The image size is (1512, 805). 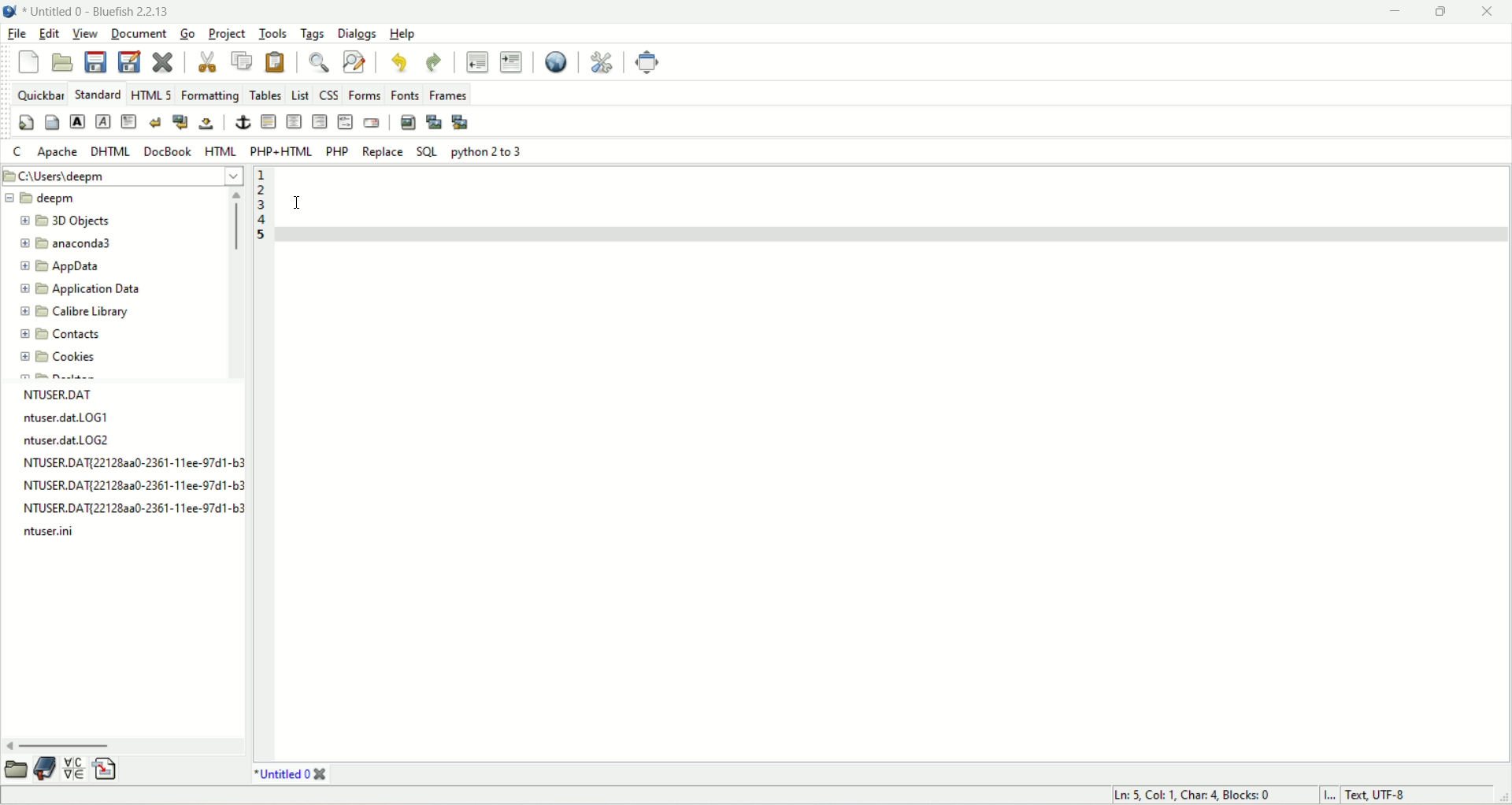 I want to click on edit preferences, so click(x=600, y=62).